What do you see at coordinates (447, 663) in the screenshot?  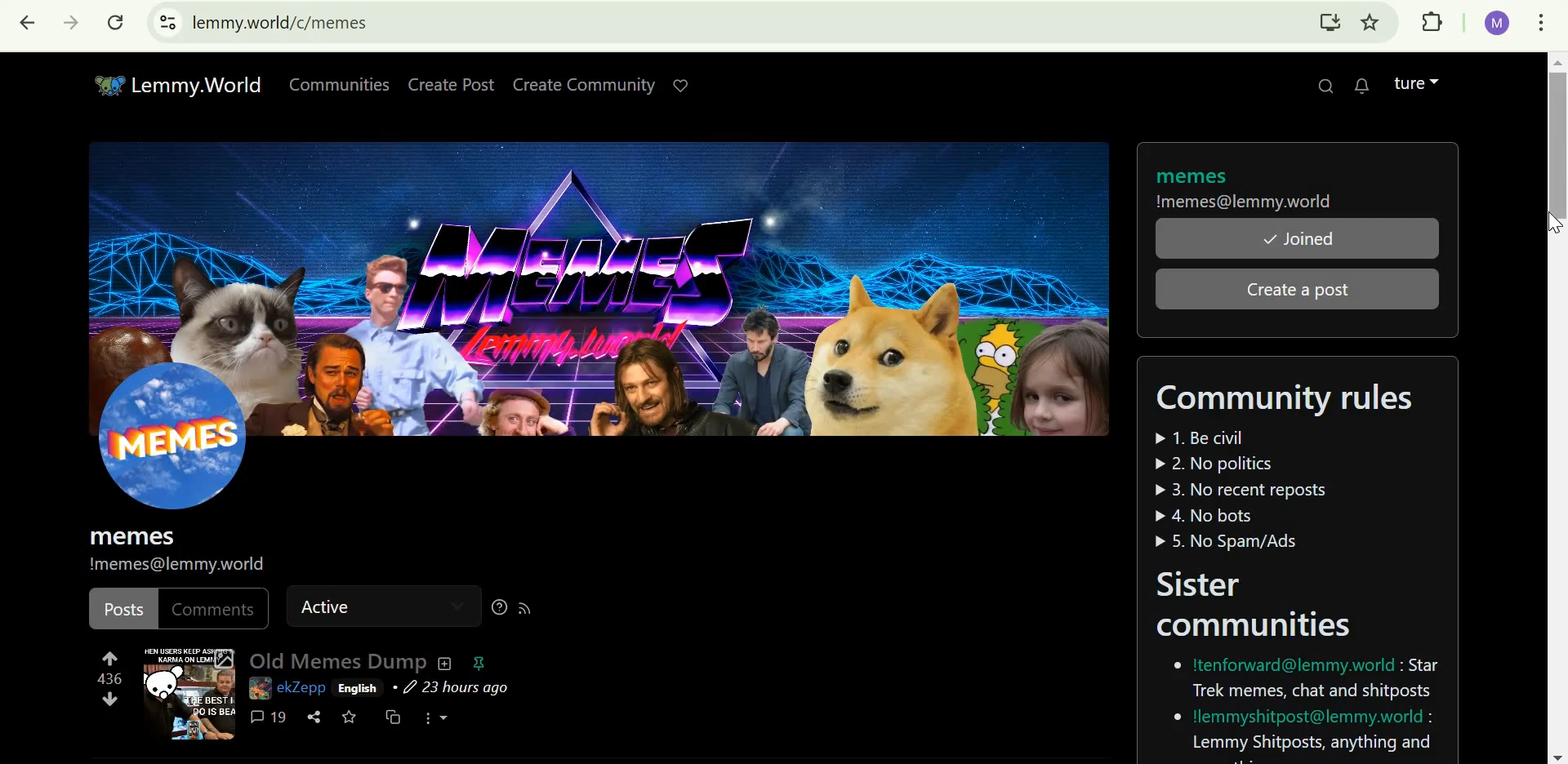 I see `collapse` at bounding box center [447, 663].